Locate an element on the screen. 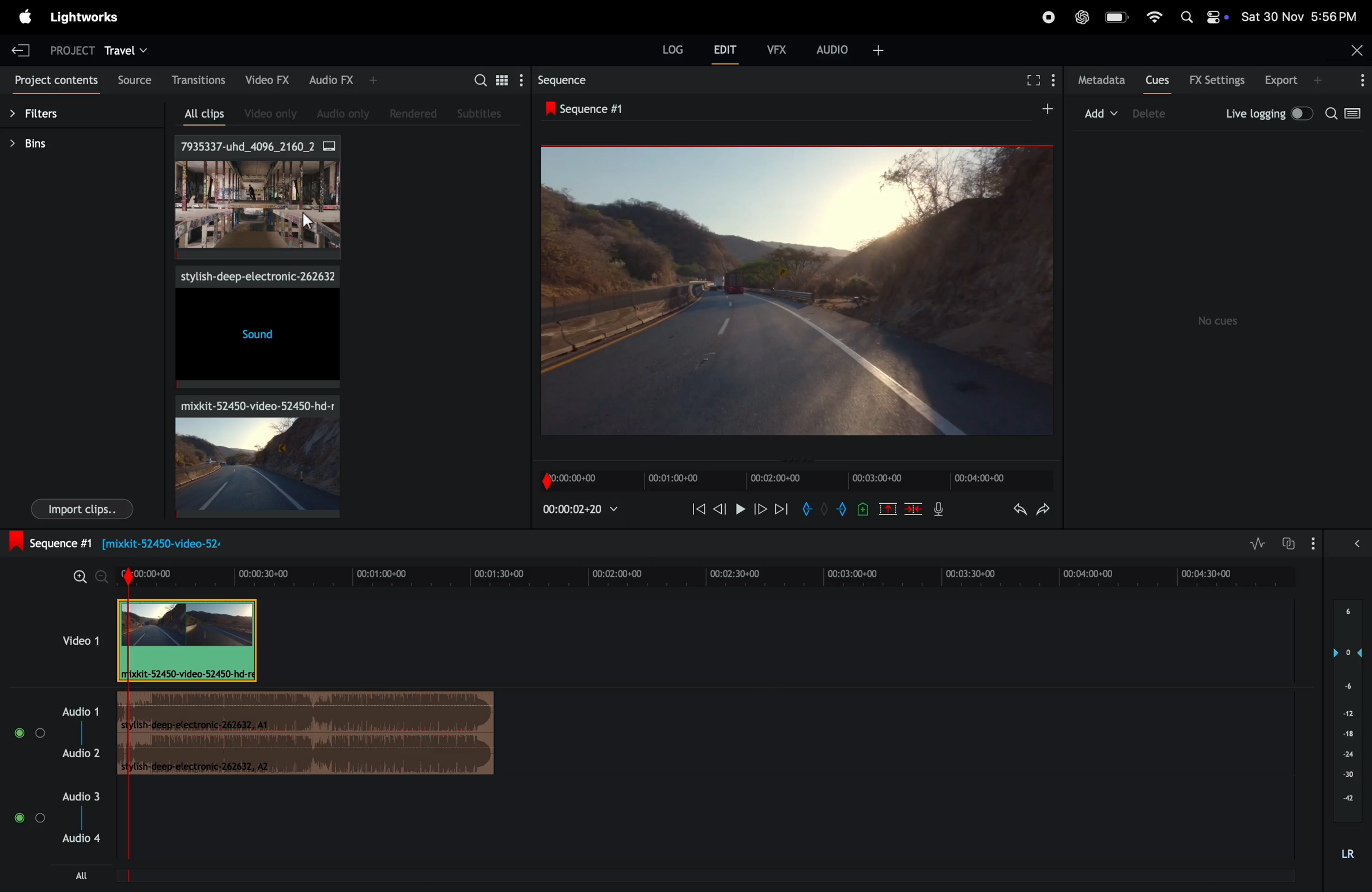  subtitles is located at coordinates (480, 112).